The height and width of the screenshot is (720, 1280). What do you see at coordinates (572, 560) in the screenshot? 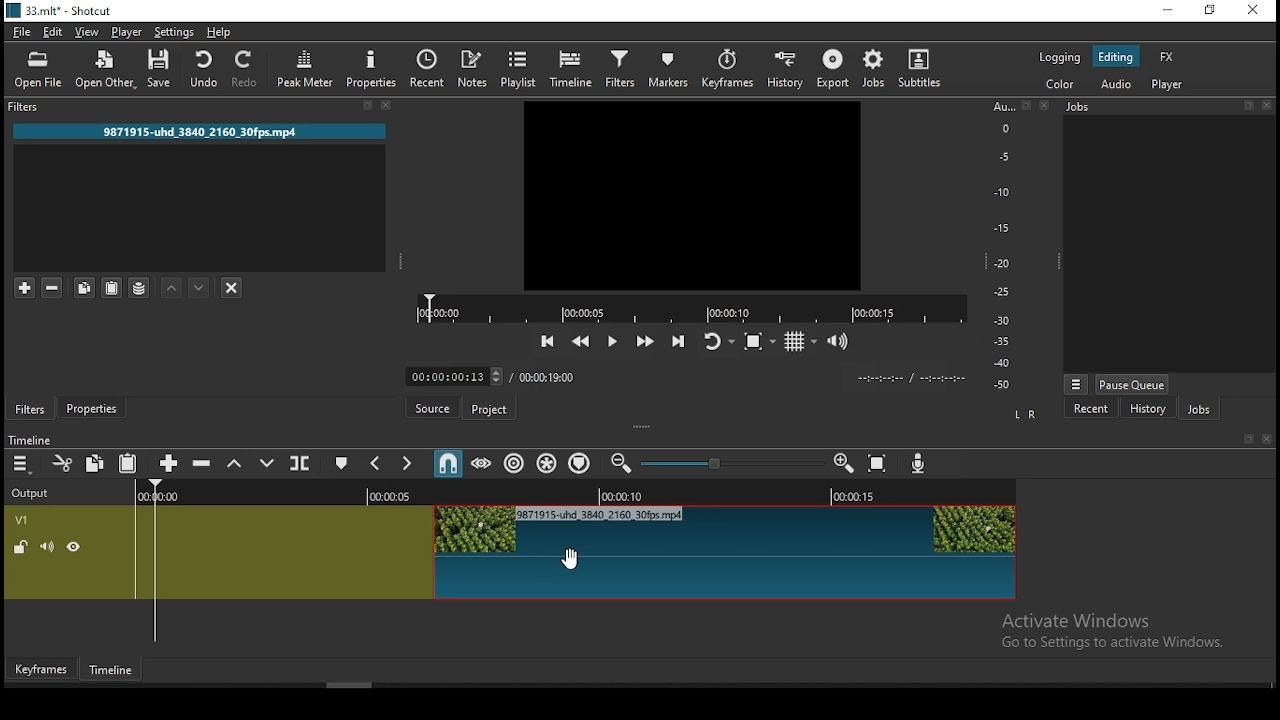
I see `cursor` at bounding box center [572, 560].